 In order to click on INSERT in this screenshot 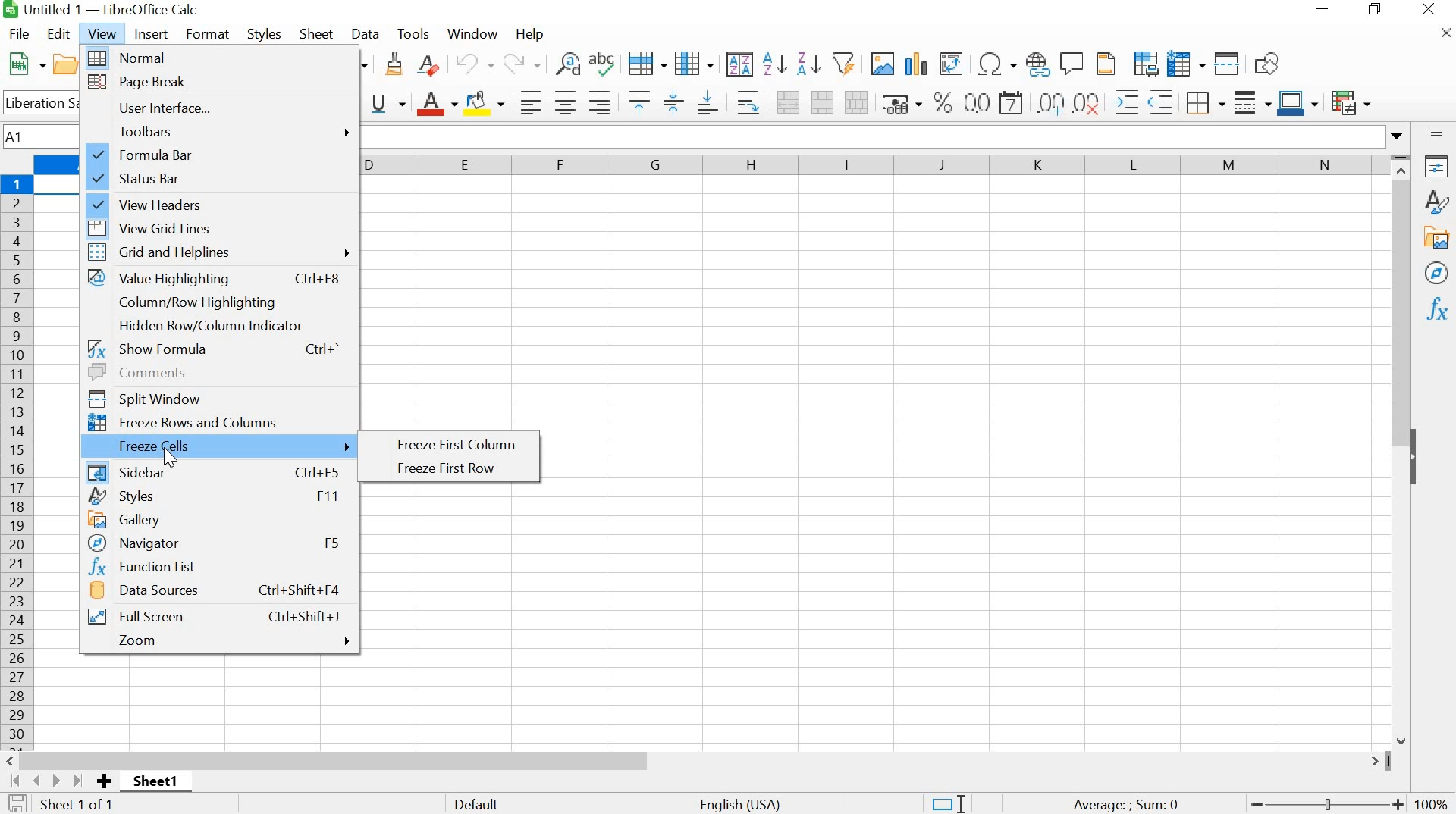, I will do `click(152, 34)`.